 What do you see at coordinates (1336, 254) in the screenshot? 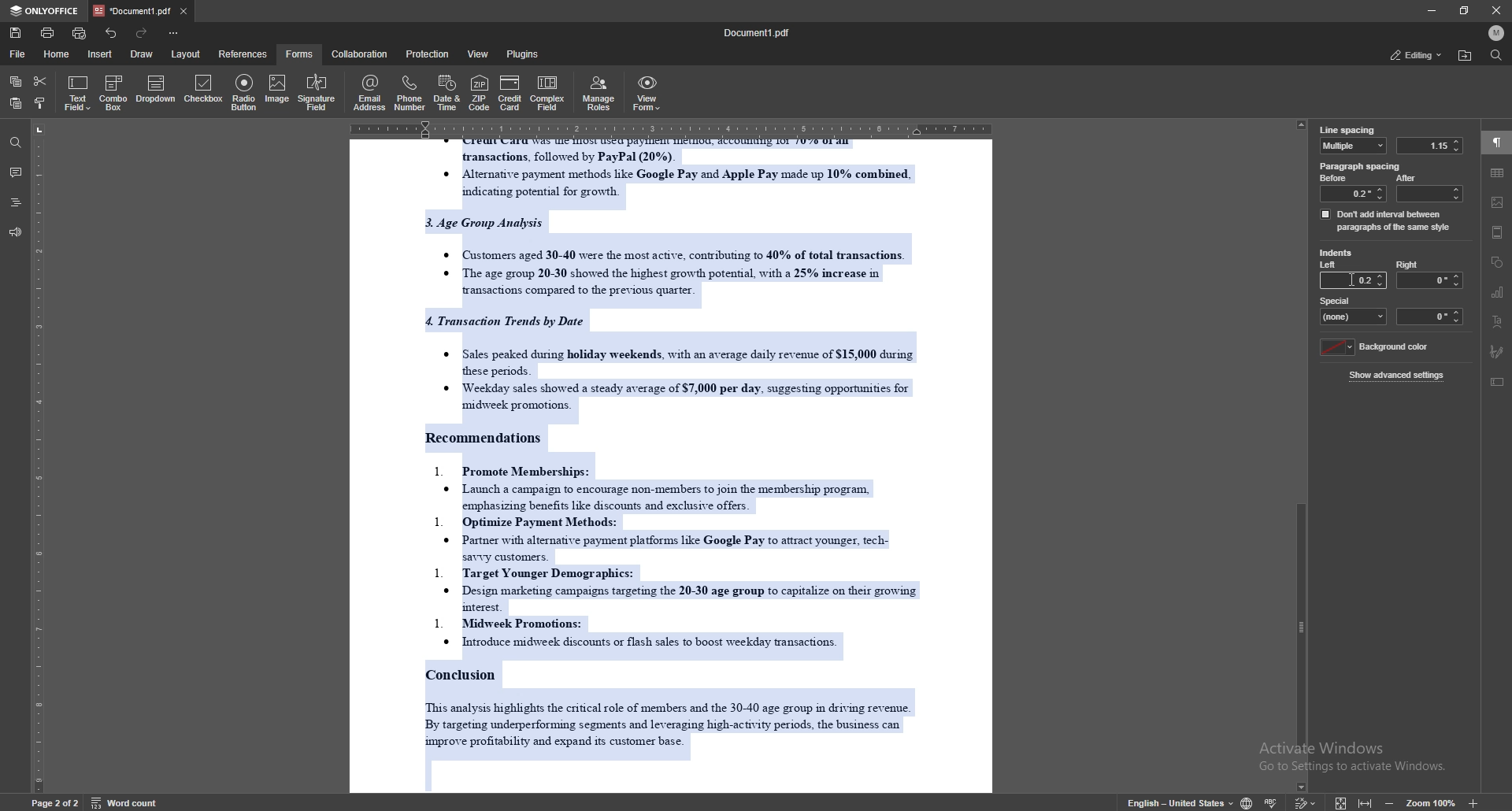
I see `indents` at bounding box center [1336, 254].